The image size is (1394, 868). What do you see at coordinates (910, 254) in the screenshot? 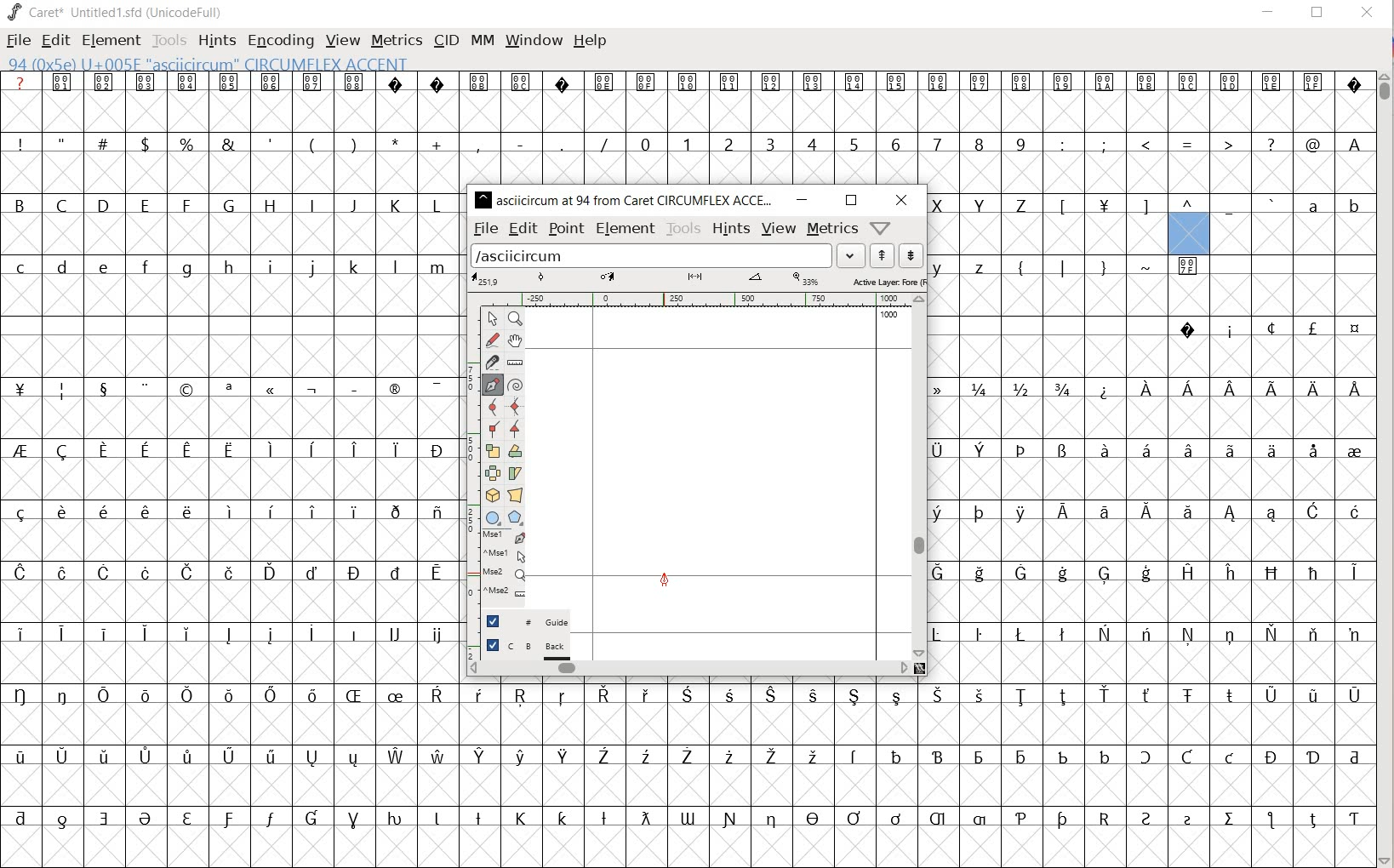
I see `show the previous word on the list` at bounding box center [910, 254].